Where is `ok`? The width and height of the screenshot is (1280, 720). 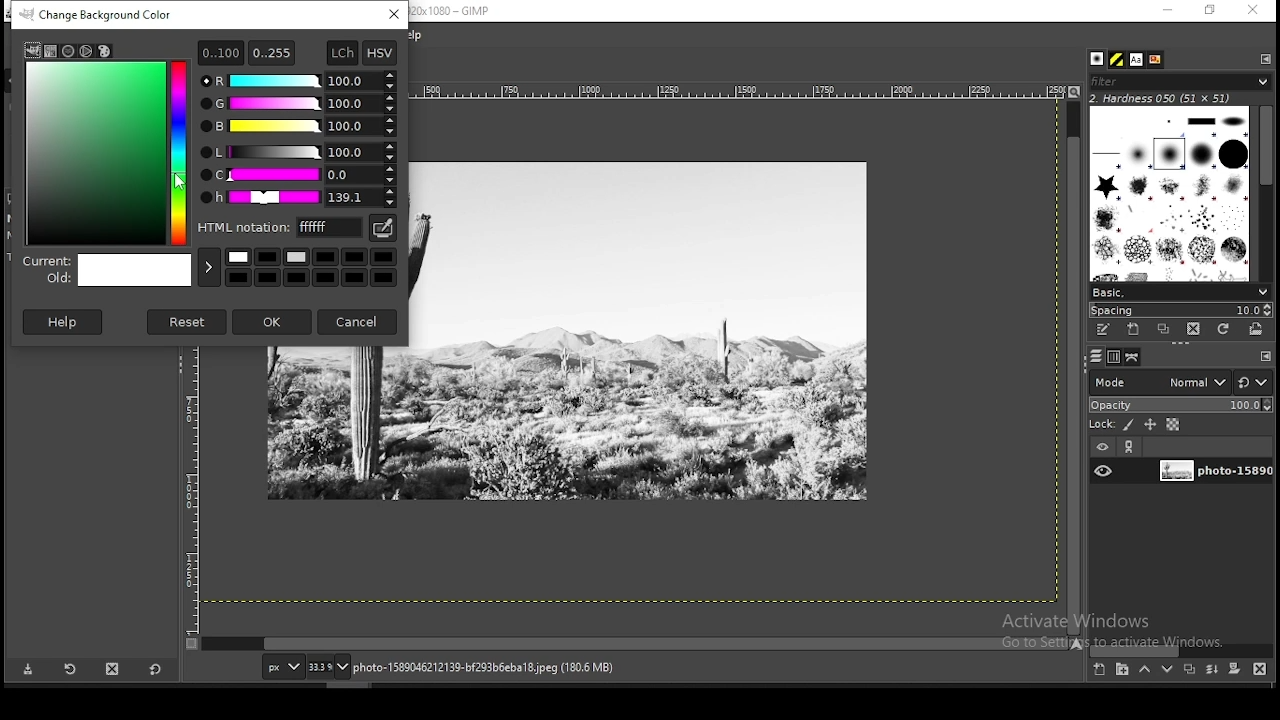
ok is located at coordinates (273, 322).